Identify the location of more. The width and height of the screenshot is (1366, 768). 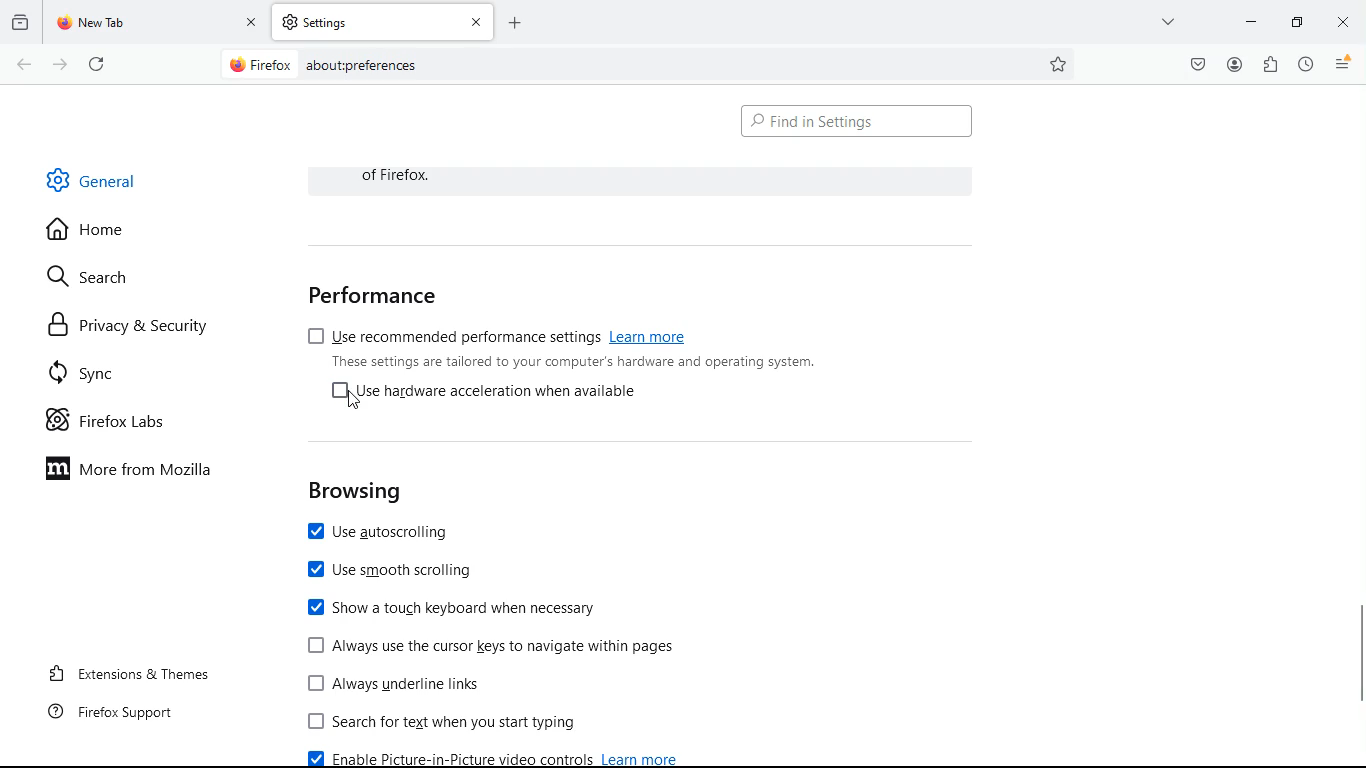
(1170, 21).